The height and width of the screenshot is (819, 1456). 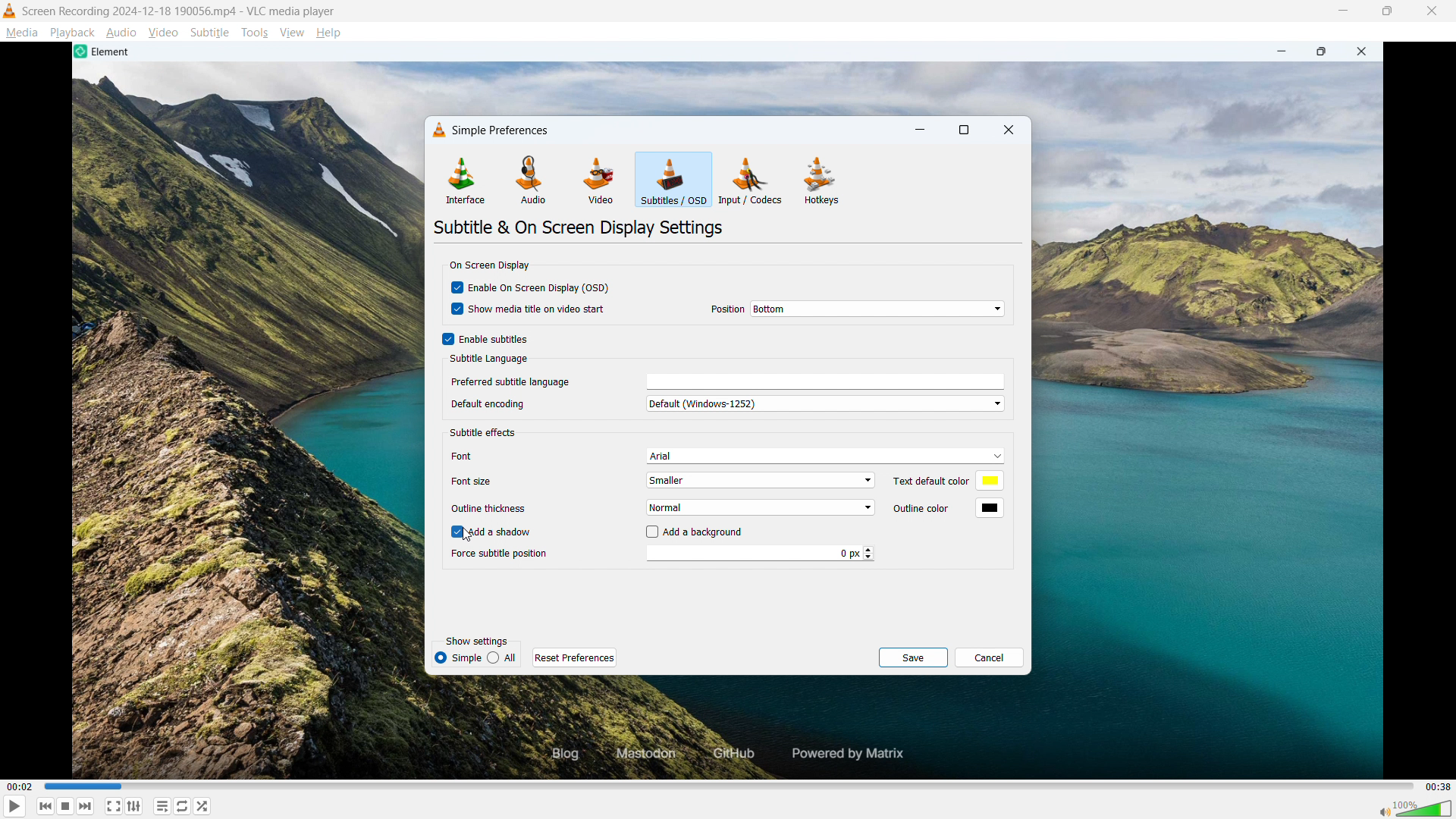 What do you see at coordinates (291, 33) in the screenshot?
I see `View ` at bounding box center [291, 33].